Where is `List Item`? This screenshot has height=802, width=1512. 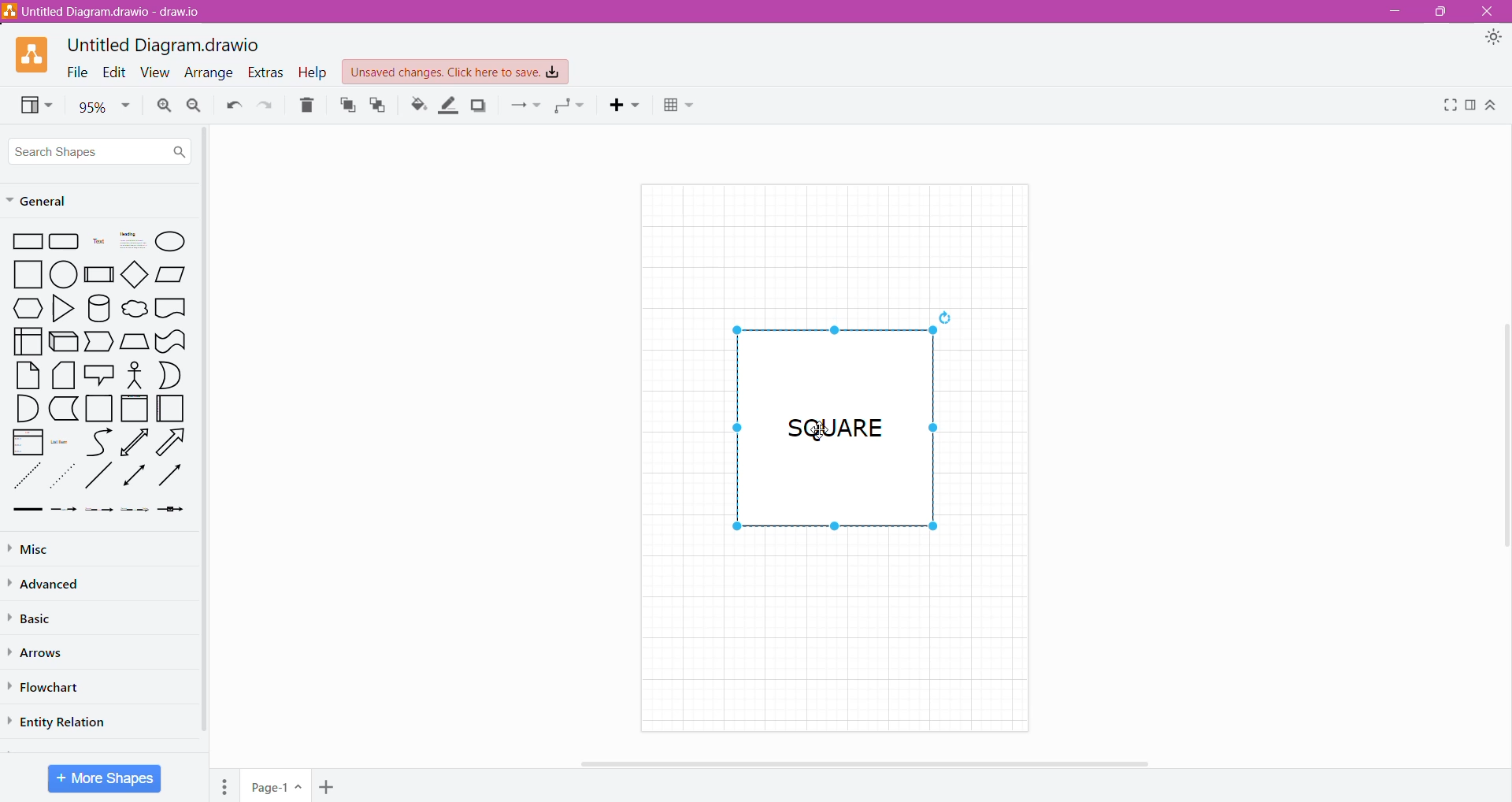 List Item is located at coordinates (61, 445).